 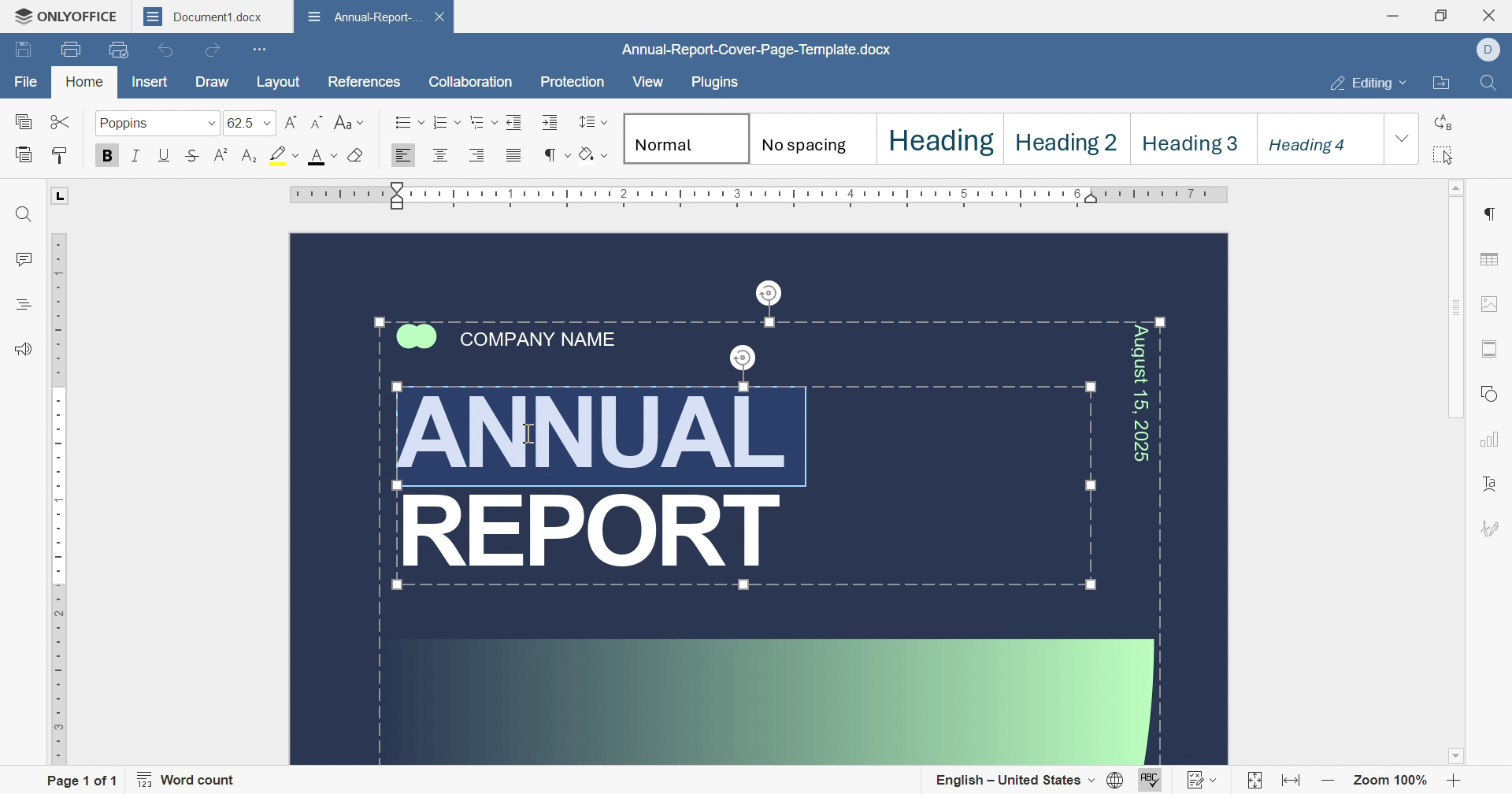 What do you see at coordinates (1492, 262) in the screenshot?
I see `table settings` at bounding box center [1492, 262].